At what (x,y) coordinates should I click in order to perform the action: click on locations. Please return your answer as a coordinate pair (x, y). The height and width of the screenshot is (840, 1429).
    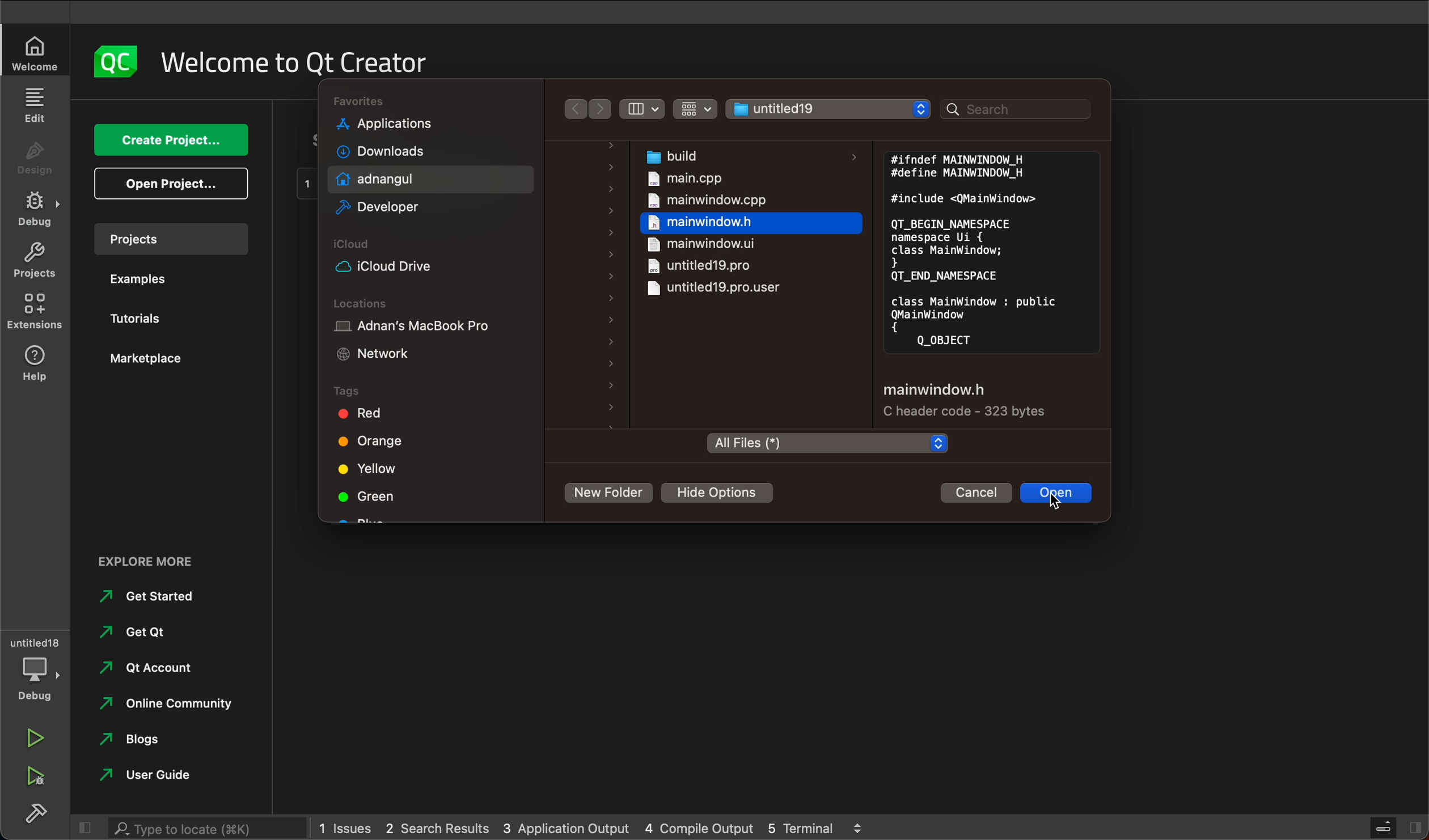
    Looking at the image, I should click on (425, 304).